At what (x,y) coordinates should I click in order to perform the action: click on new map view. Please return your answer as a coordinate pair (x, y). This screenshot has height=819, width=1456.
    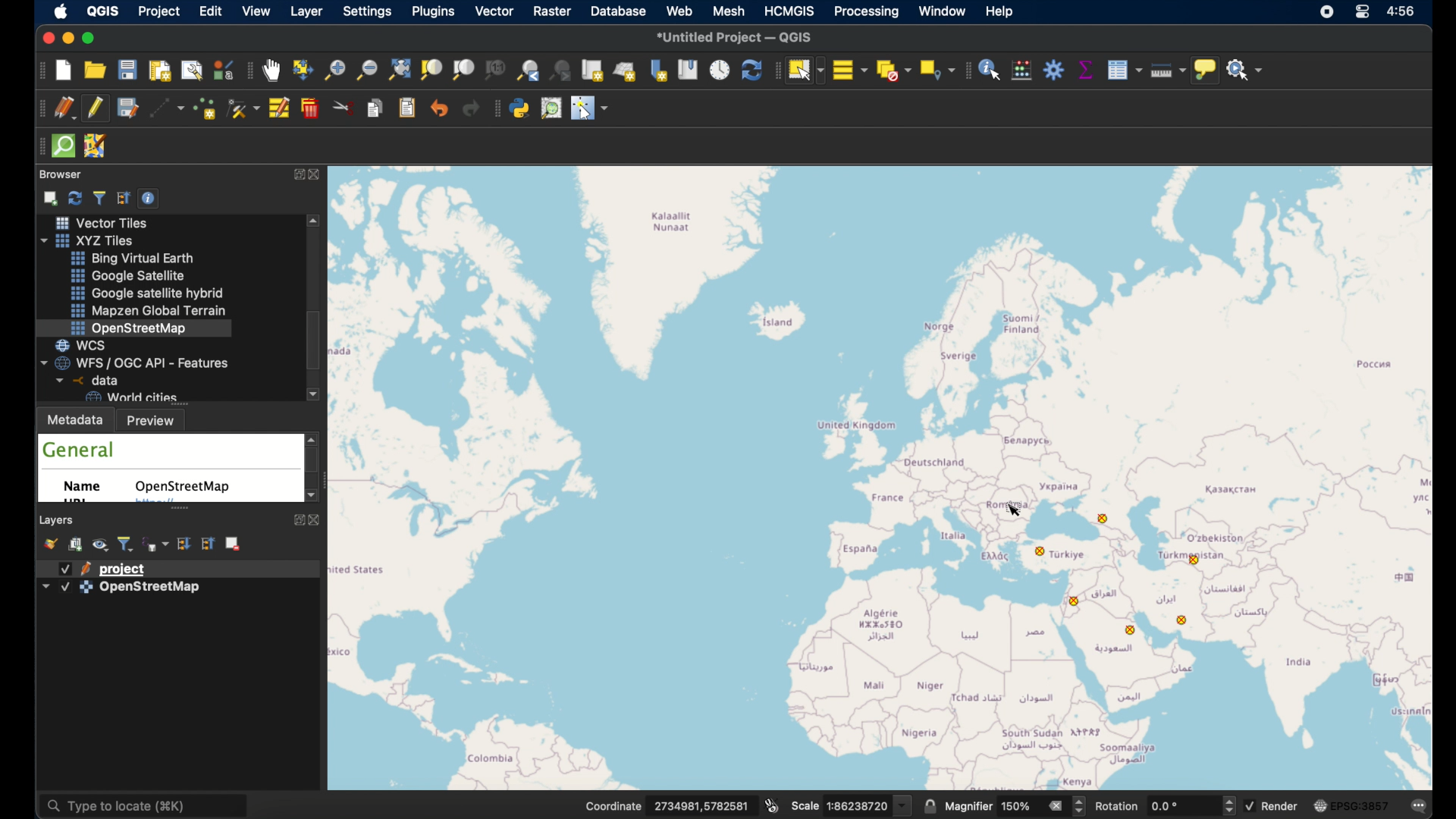
    Looking at the image, I should click on (593, 71).